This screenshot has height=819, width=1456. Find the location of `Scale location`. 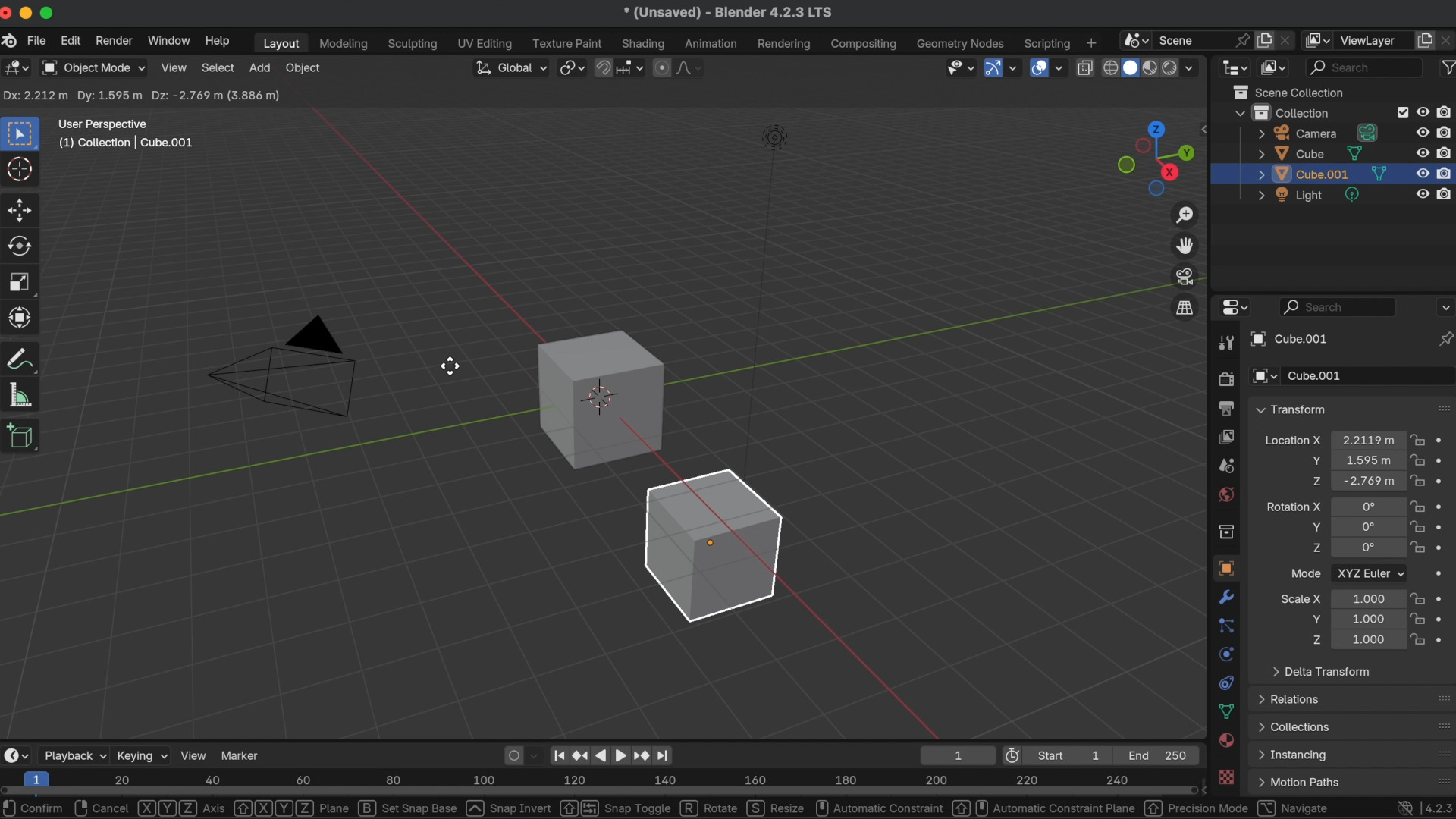

Scale location is located at coordinates (1367, 598).